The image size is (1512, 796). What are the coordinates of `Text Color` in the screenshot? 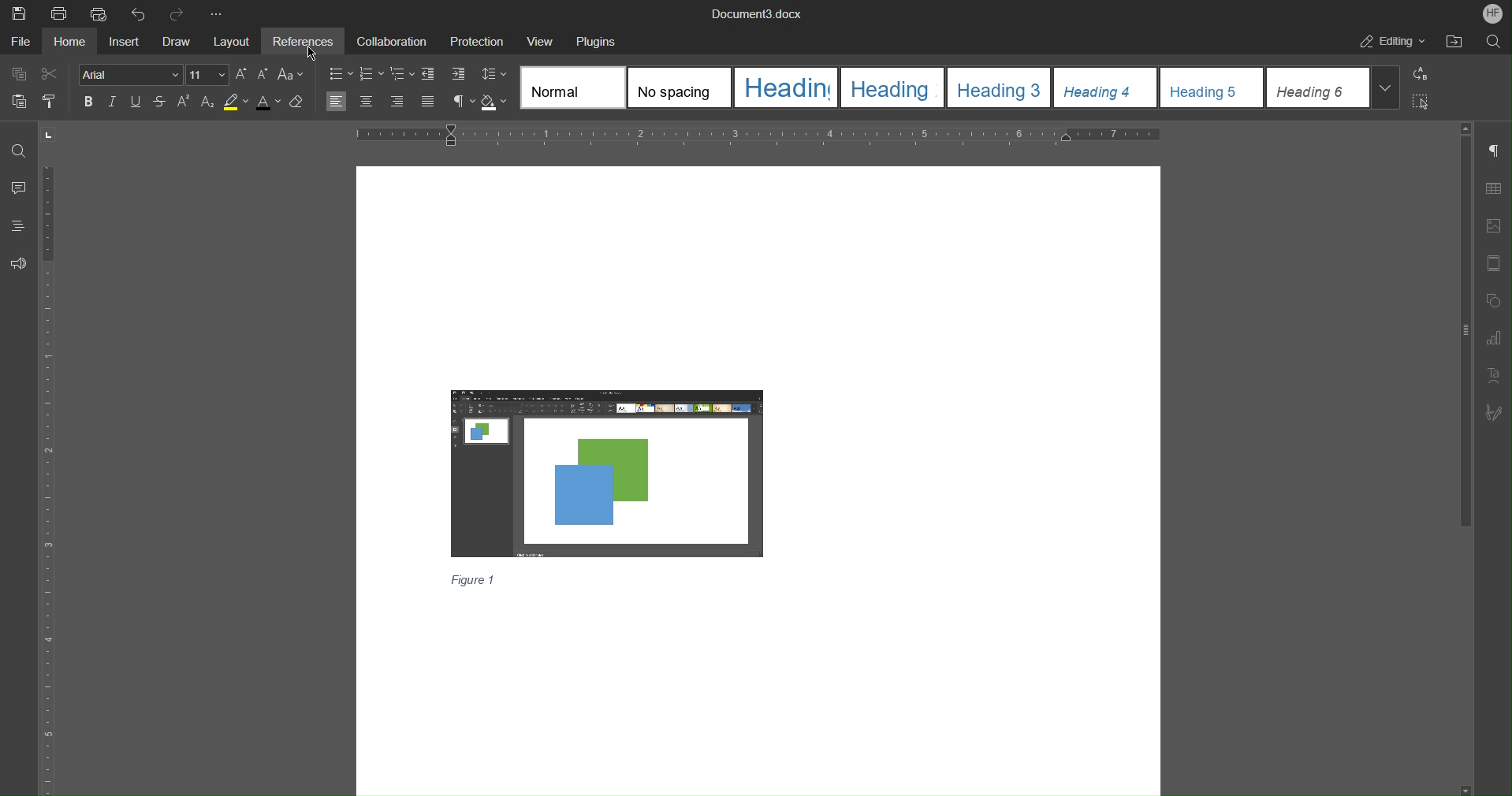 It's located at (271, 102).